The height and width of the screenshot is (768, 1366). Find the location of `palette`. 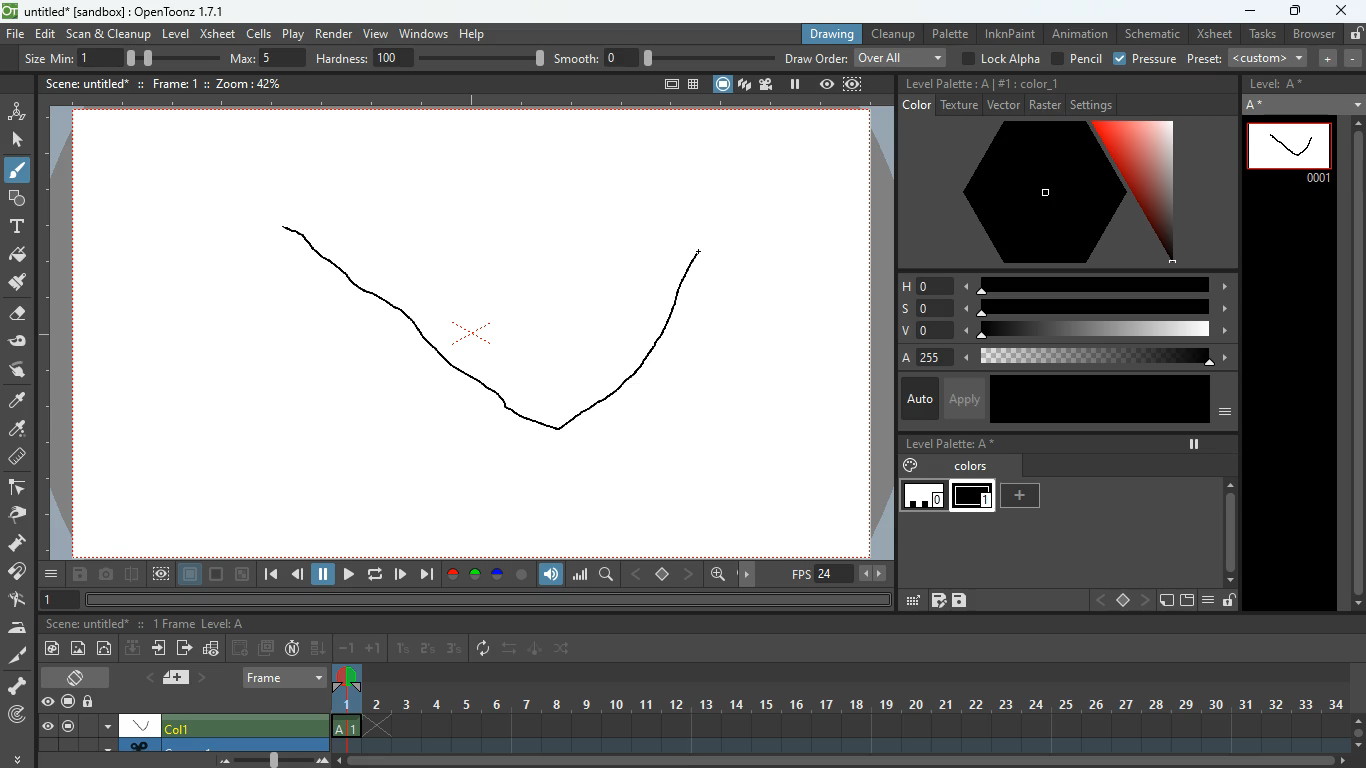

palette is located at coordinates (949, 33).